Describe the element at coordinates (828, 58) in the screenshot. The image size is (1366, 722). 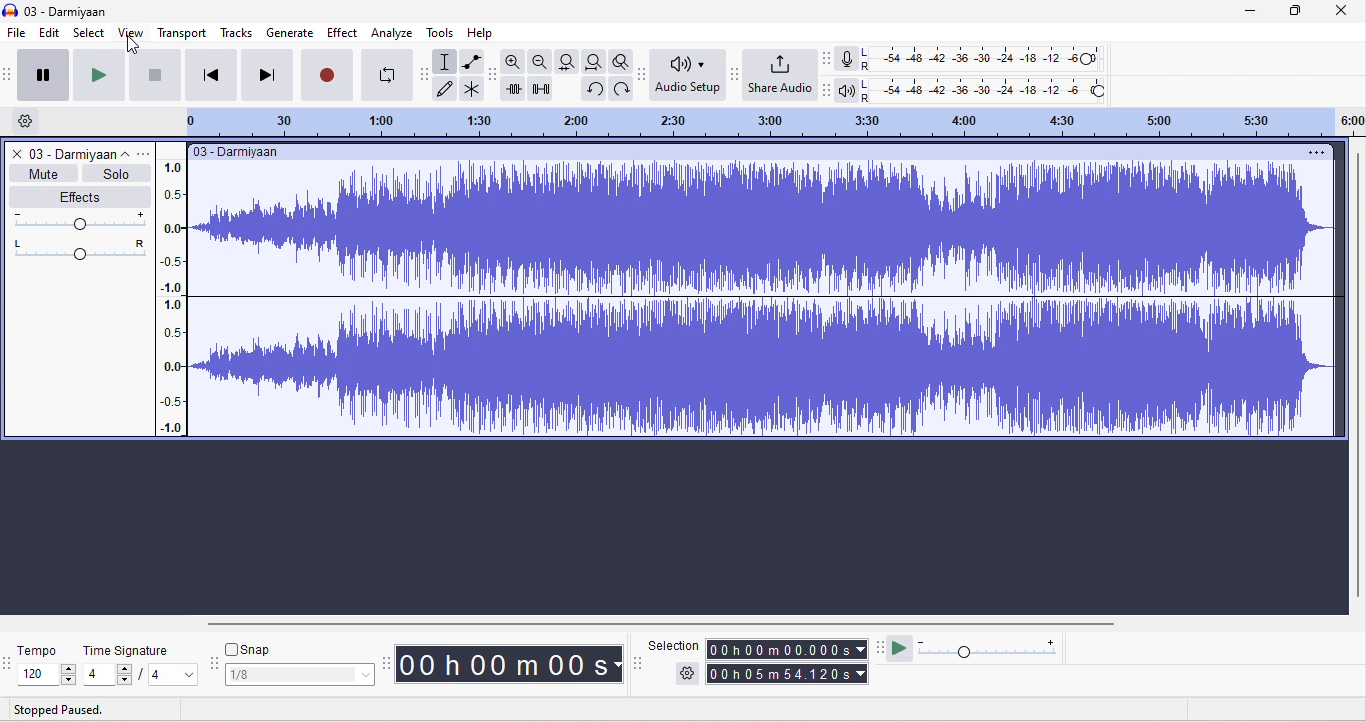
I see `audacity record meter toolbar` at that location.